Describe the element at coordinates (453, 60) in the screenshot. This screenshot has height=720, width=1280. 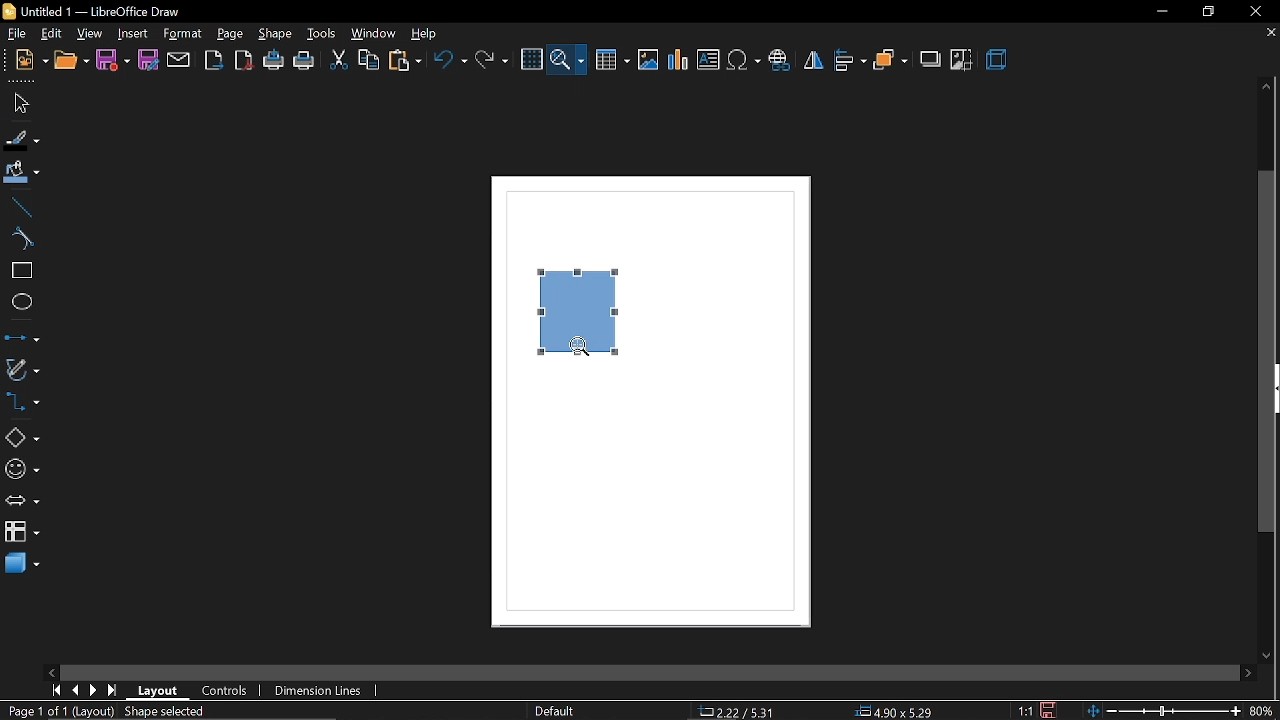
I see `undo` at that location.